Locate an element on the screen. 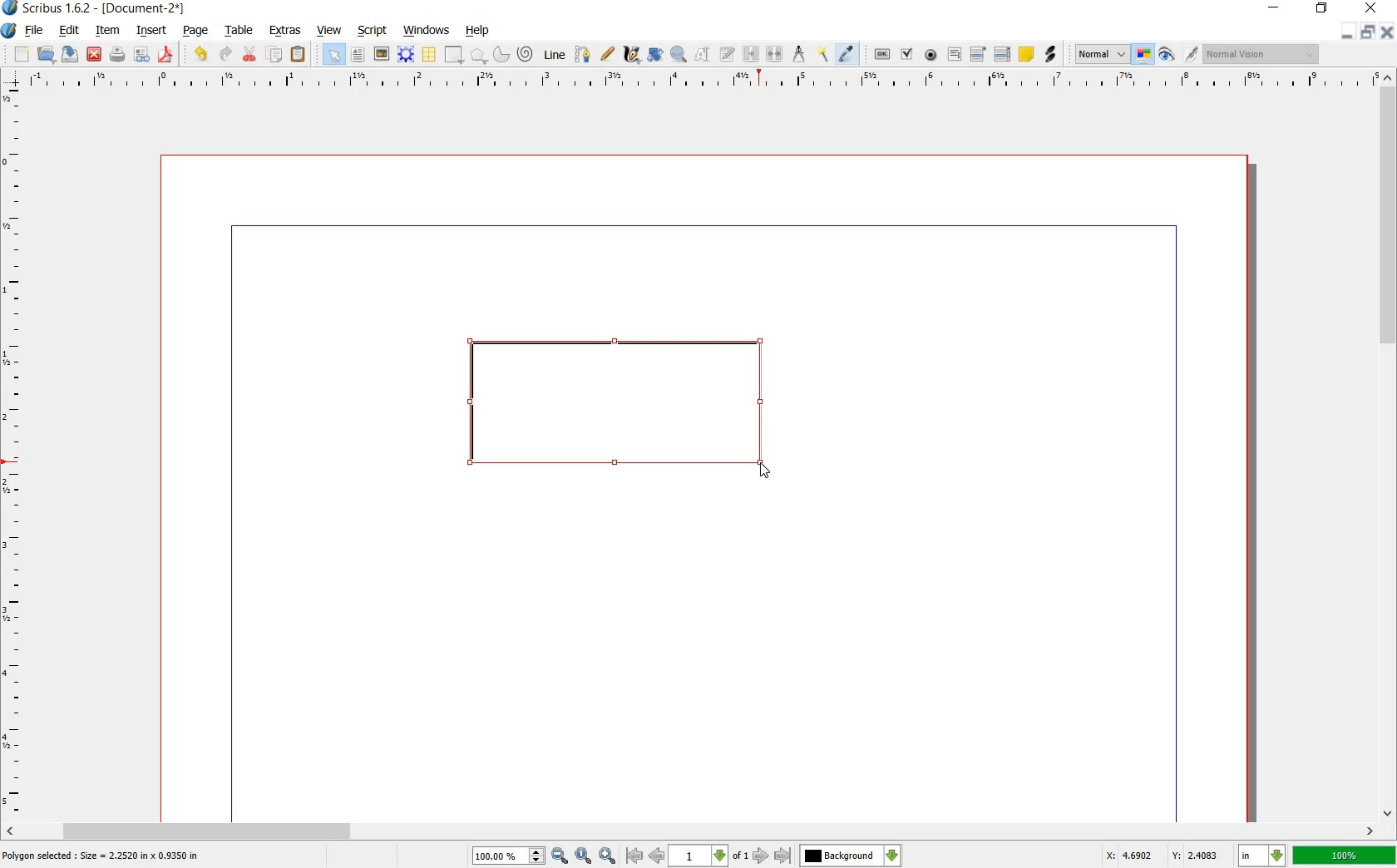 The image size is (1397, 868). TEXT ANNOATATION is located at coordinates (1025, 55).